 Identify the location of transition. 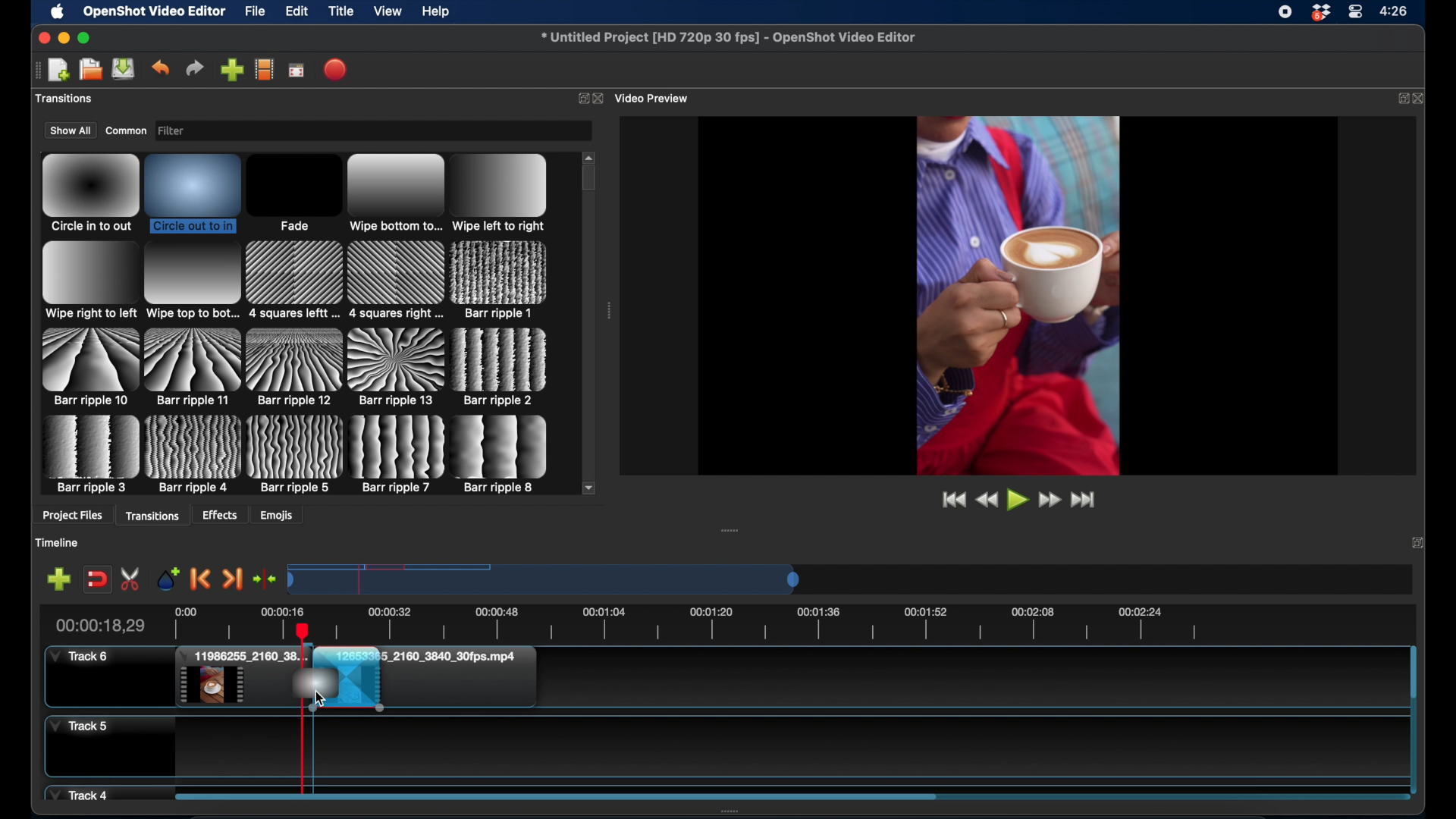
(397, 368).